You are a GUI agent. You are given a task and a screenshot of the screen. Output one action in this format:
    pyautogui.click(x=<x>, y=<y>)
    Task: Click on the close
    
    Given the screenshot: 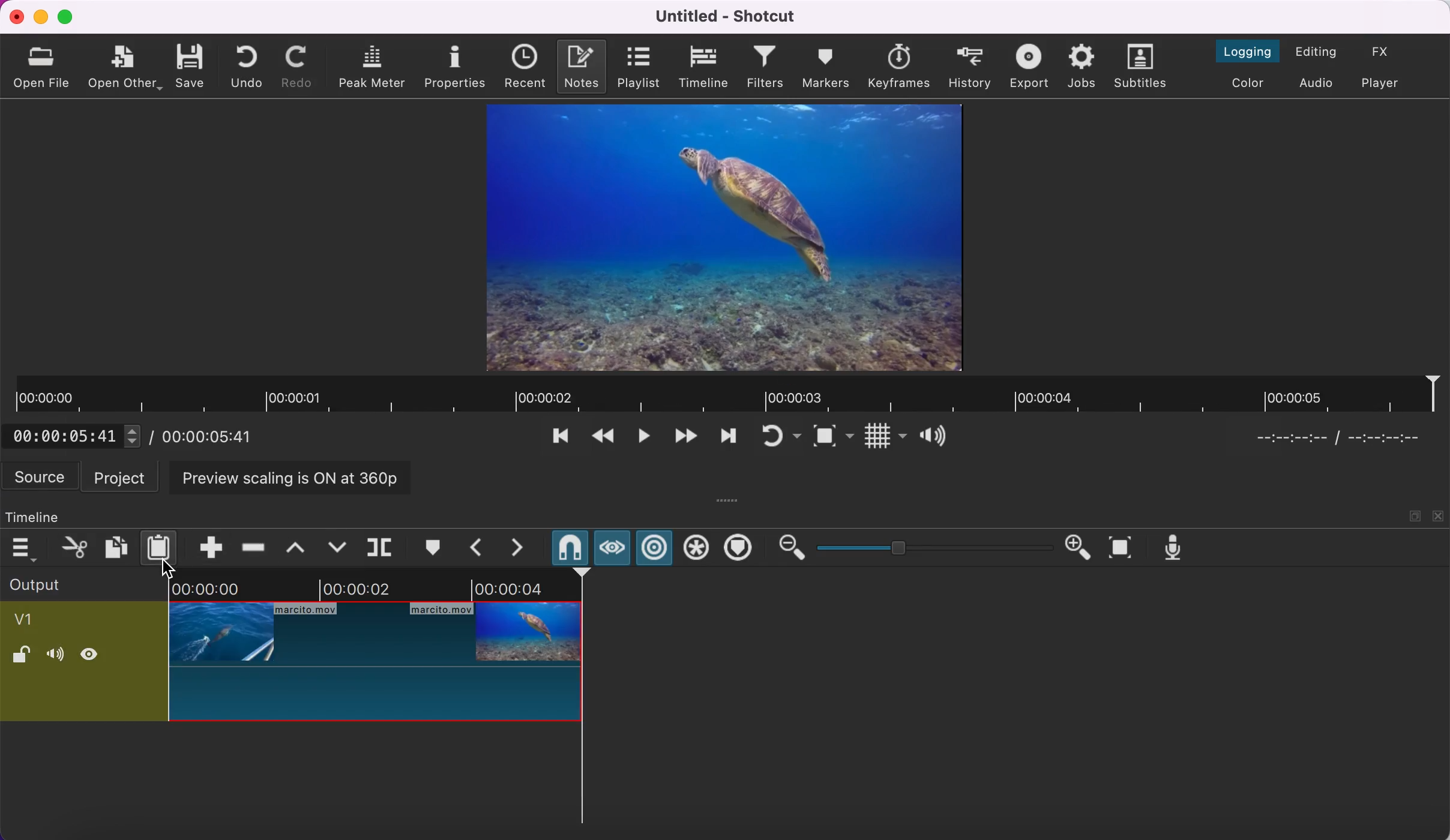 What is the action you would take?
    pyautogui.click(x=14, y=16)
    